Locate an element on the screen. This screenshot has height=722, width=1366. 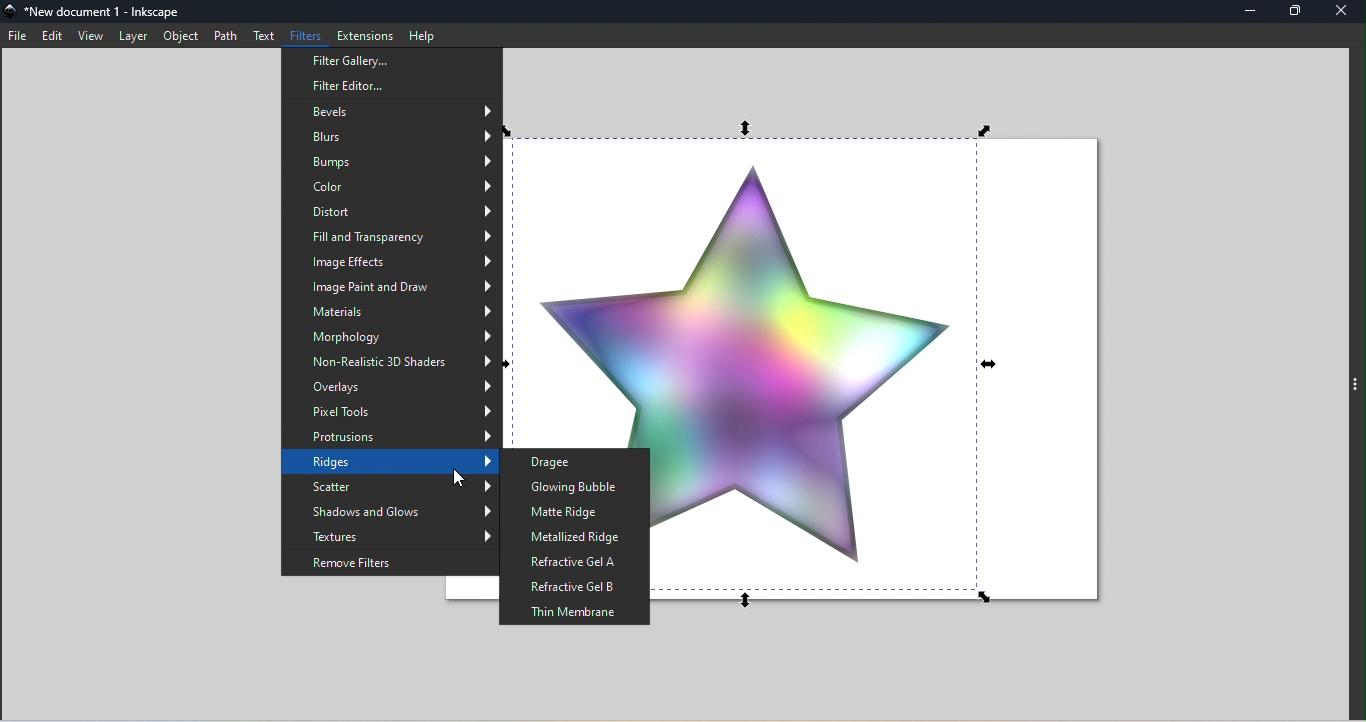
Extensions is located at coordinates (365, 33).